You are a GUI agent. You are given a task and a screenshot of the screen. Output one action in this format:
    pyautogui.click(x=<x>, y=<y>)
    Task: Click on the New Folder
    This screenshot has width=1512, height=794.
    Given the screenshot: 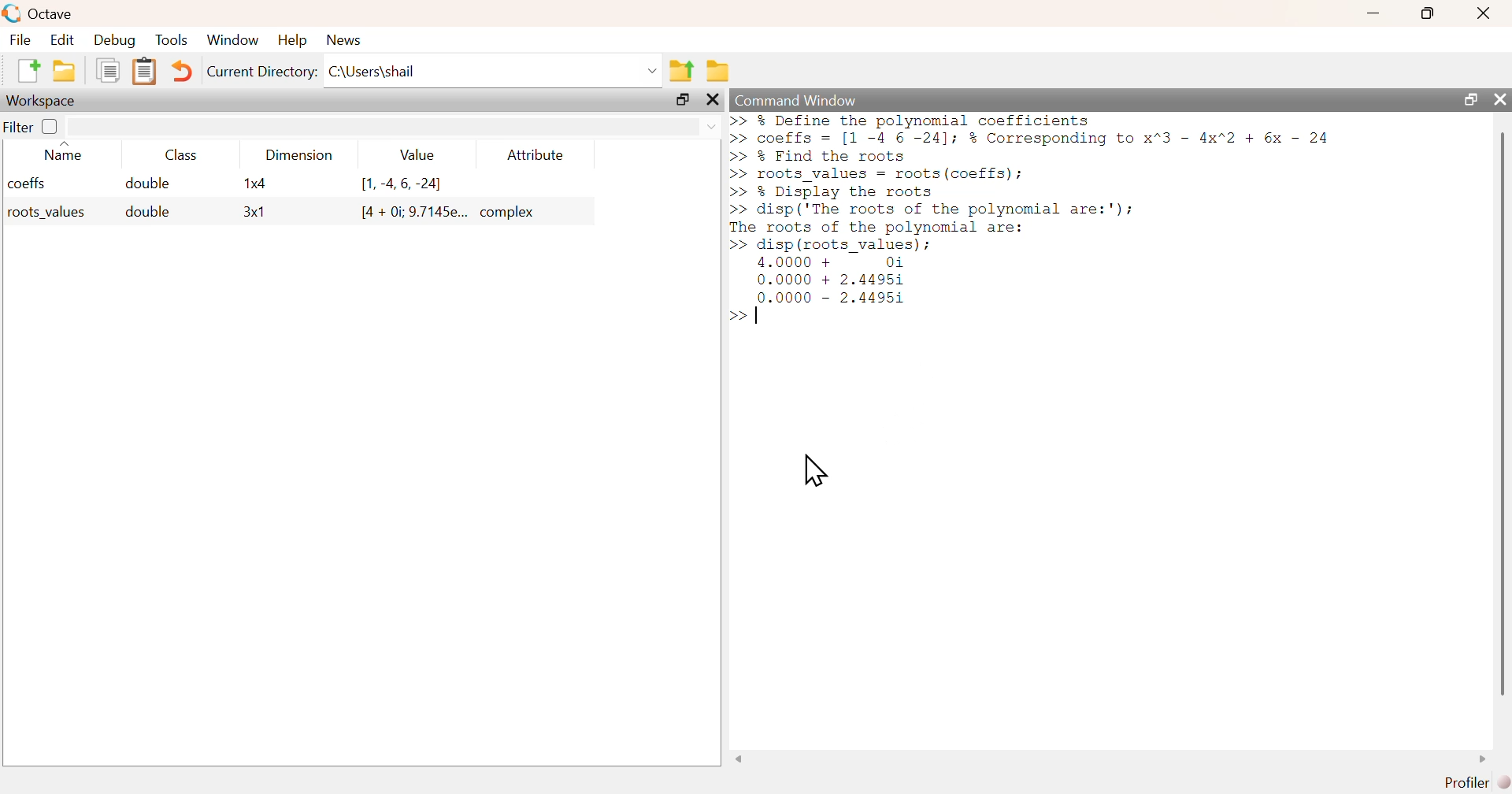 What is the action you would take?
    pyautogui.click(x=64, y=71)
    